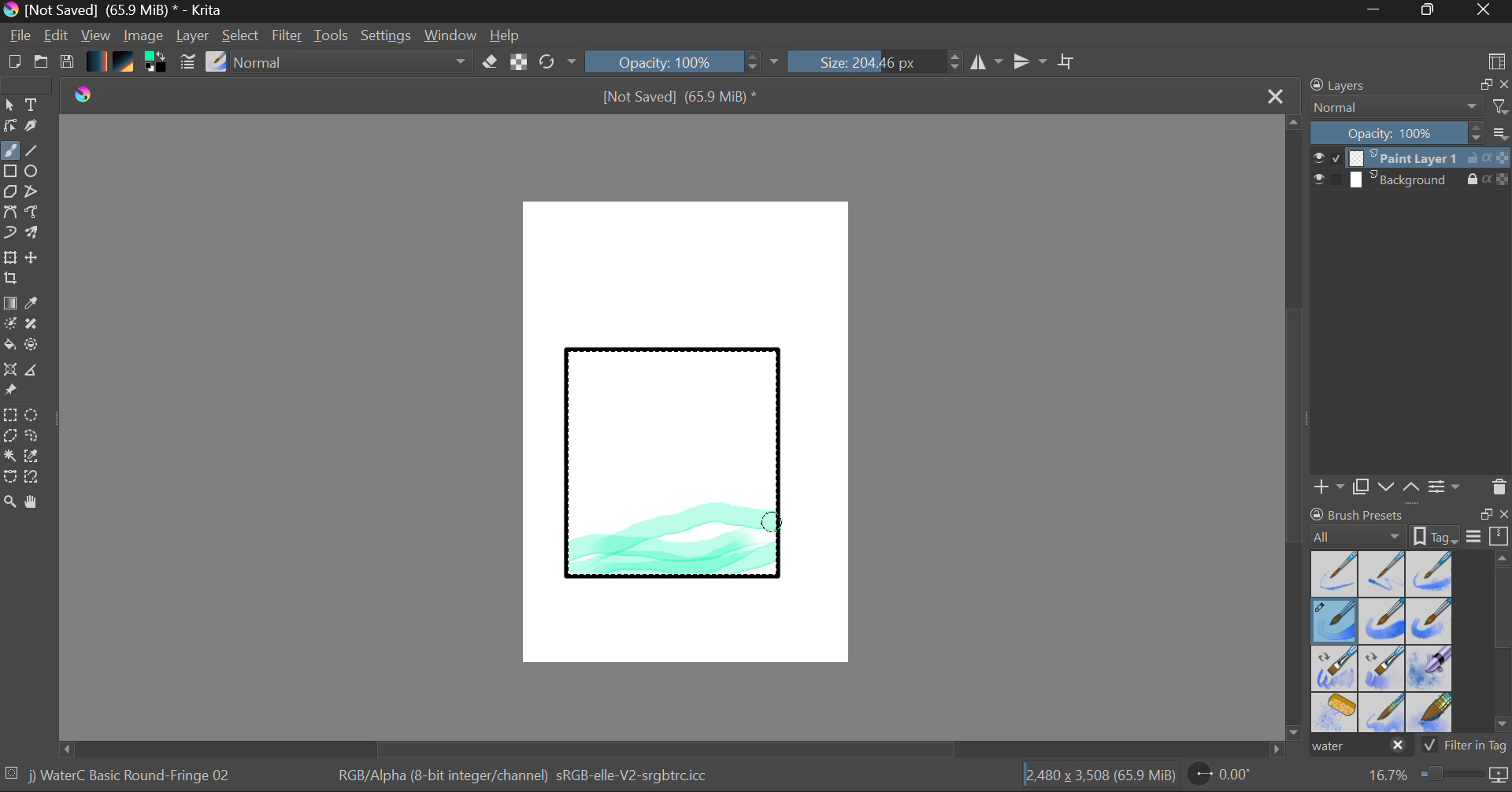 This screenshot has height=792, width=1512. I want to click on Blending Tool, so click(354, 63).